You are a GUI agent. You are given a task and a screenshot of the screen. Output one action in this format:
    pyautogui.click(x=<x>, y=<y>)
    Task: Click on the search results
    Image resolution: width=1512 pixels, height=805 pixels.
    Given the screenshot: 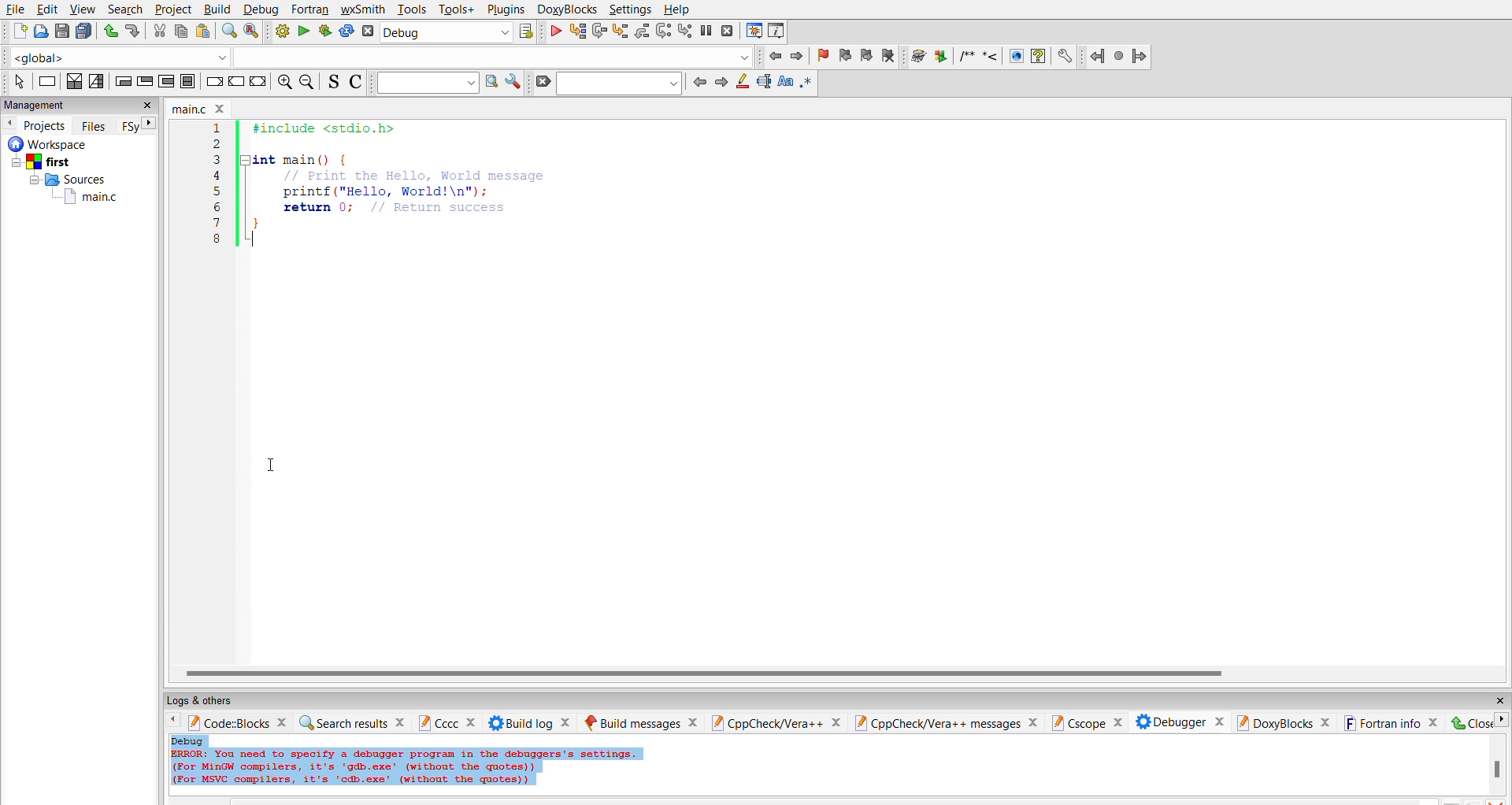 What is the action you would take?
    pyautogui.click(x=354, y=722)
    